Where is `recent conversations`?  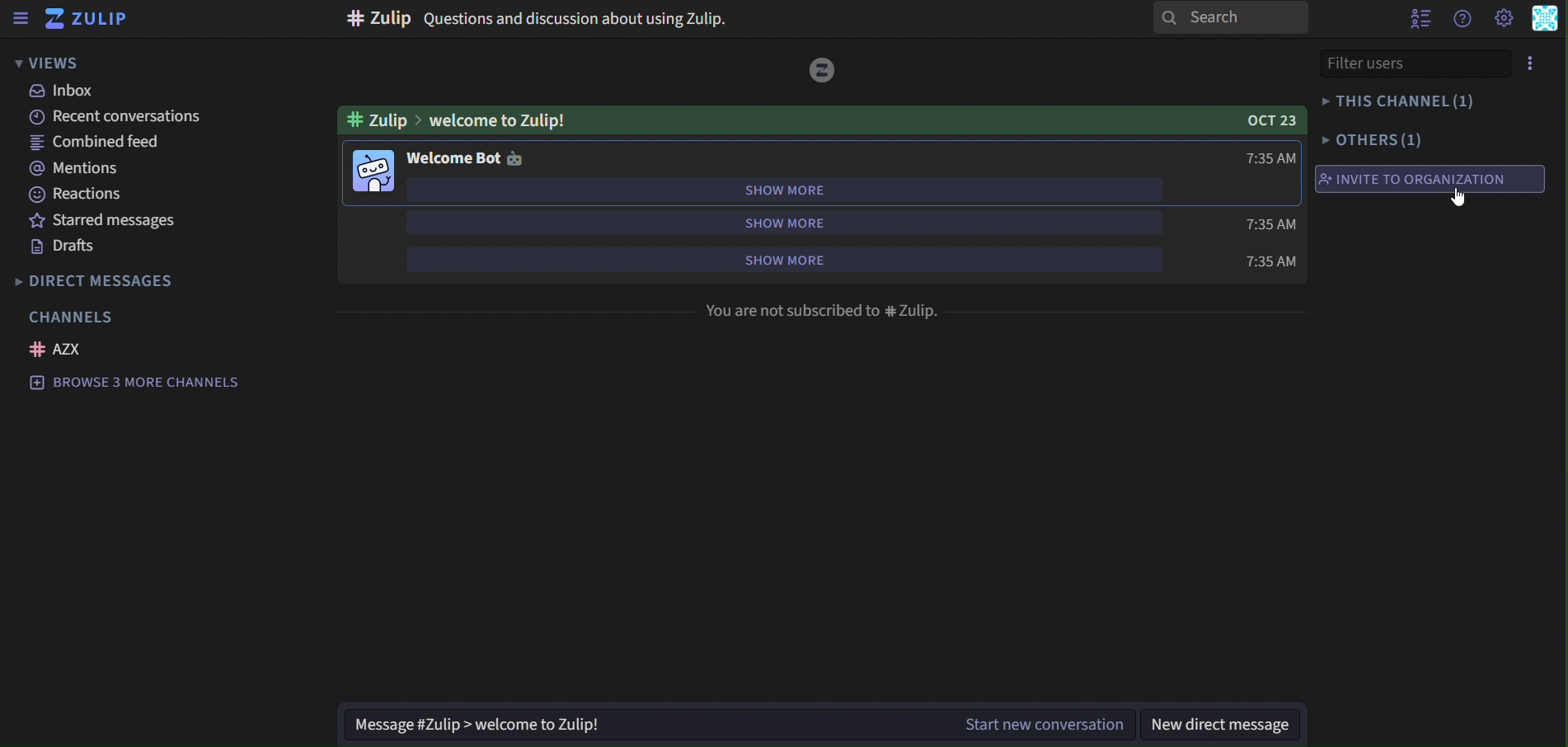
recent conversations is located at coordinates (110, 117).